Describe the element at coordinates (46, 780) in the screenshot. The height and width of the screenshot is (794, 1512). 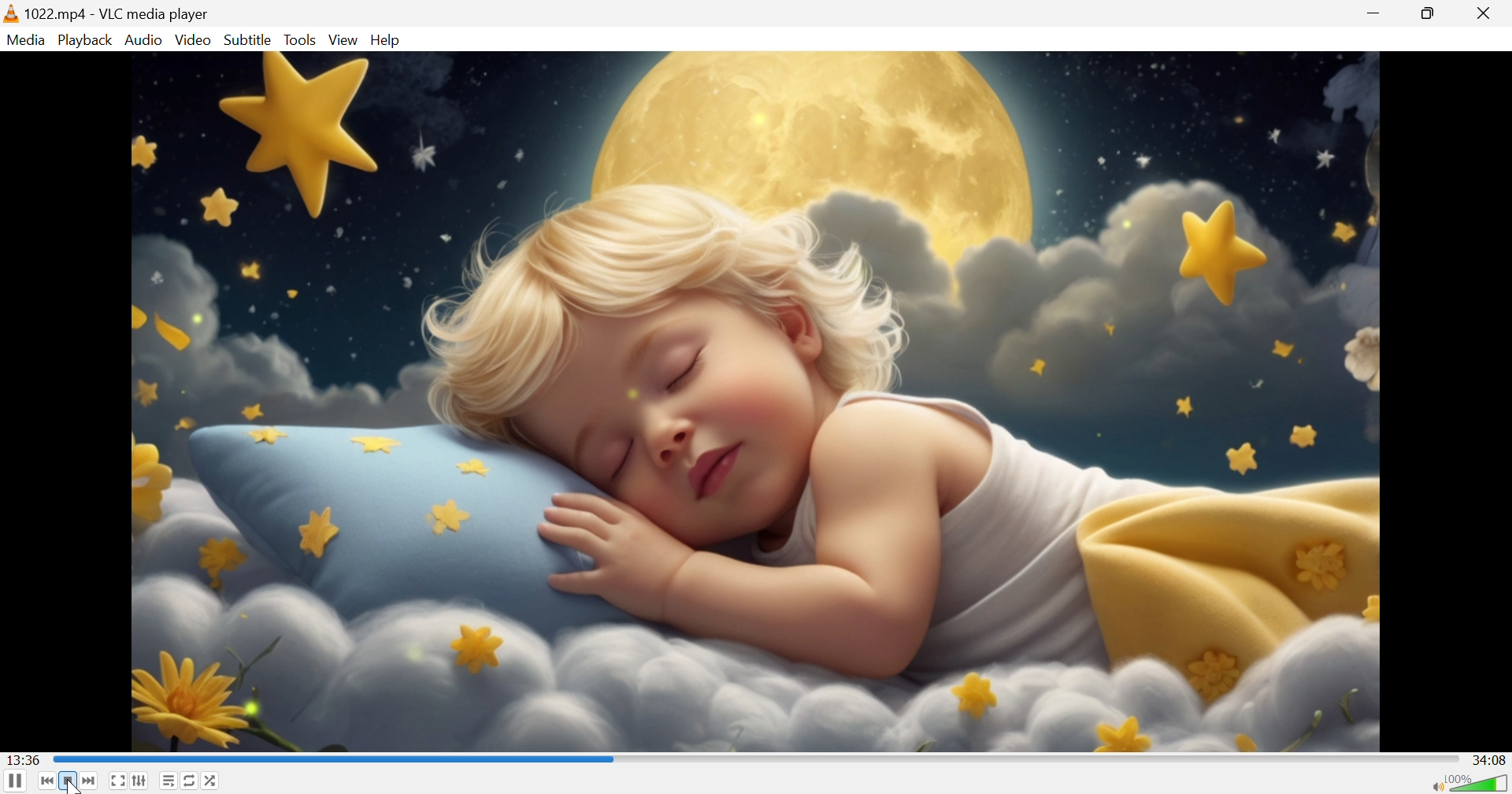
I see `Previous media in the playlist, skip backward when held` at that location.